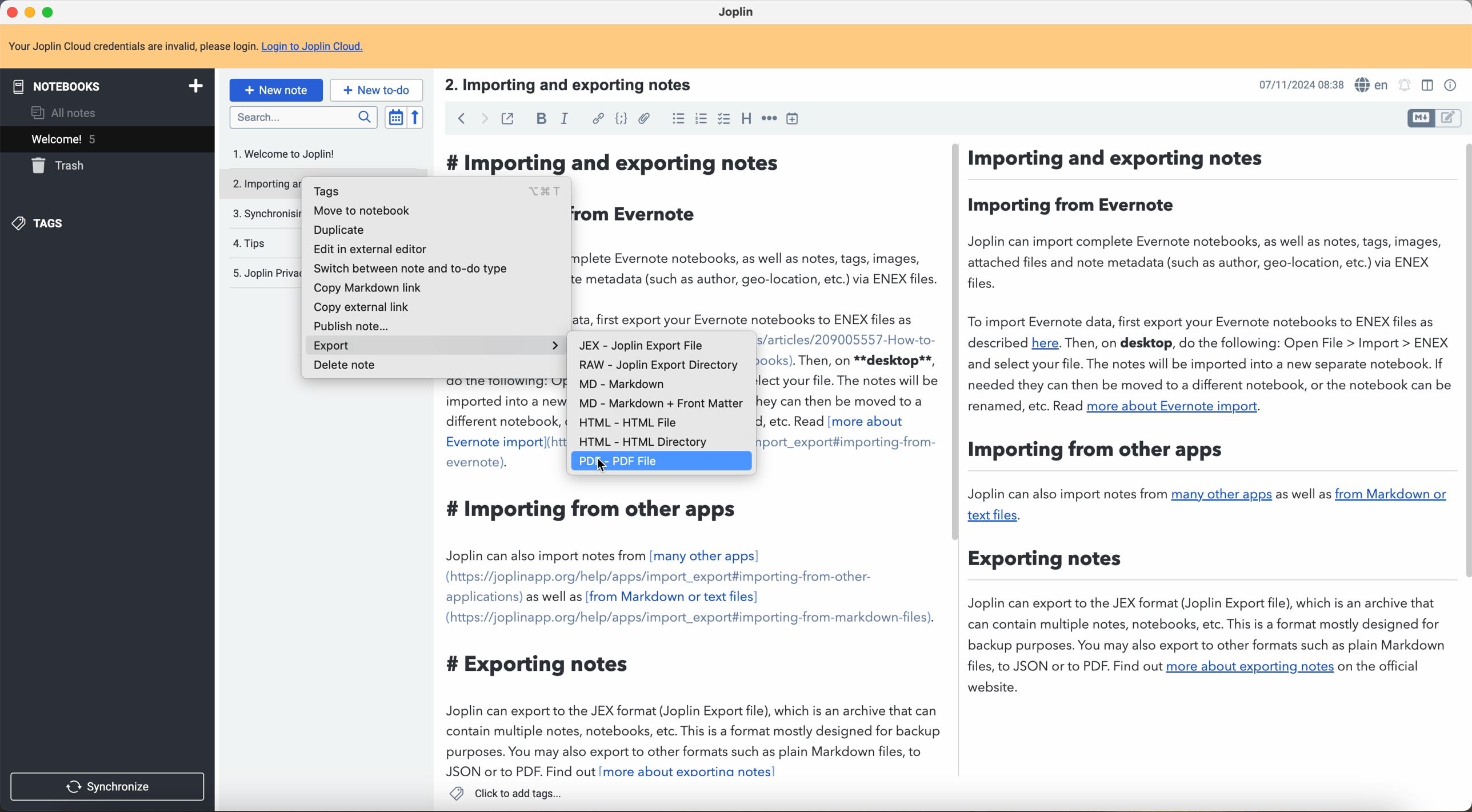  Describe the element at coordinates (262, 214) in the screenshot. I see `synchronising your notes` at that location.